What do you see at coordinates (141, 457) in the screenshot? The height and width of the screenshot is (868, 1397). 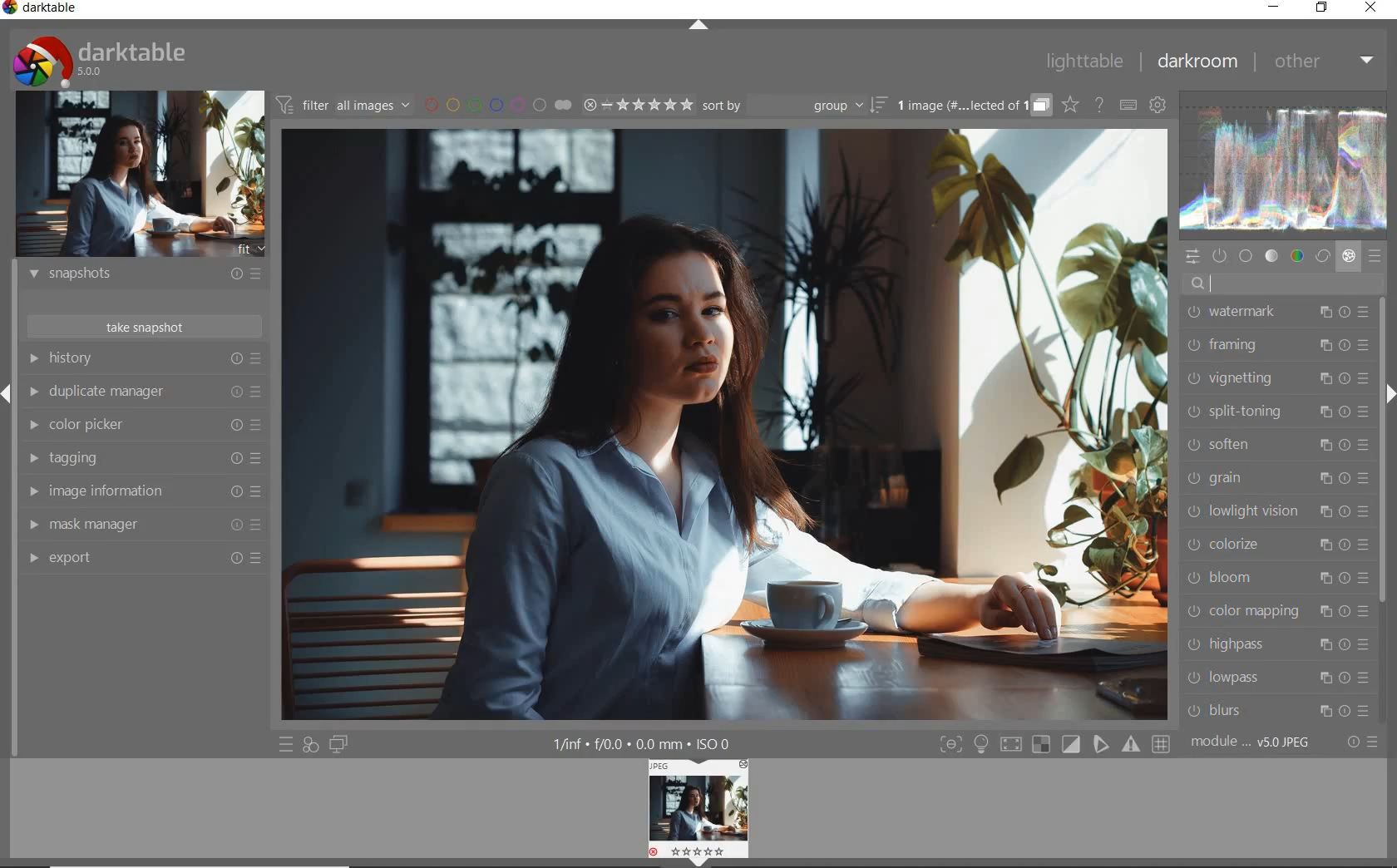 I see `tagging` at bounding box center [141, 457].